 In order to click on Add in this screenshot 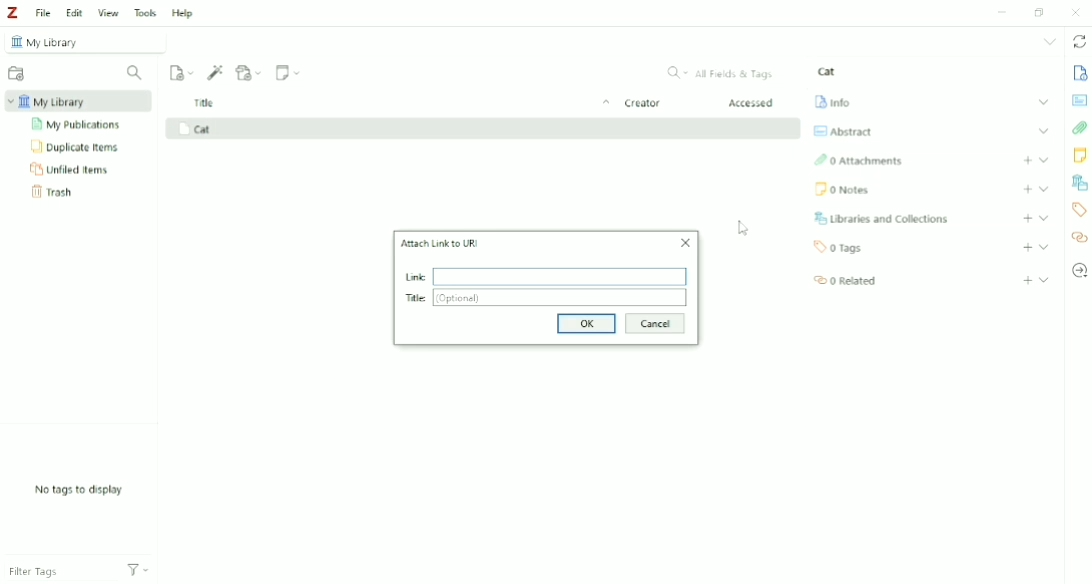, I will do `click(1027, 218)`.